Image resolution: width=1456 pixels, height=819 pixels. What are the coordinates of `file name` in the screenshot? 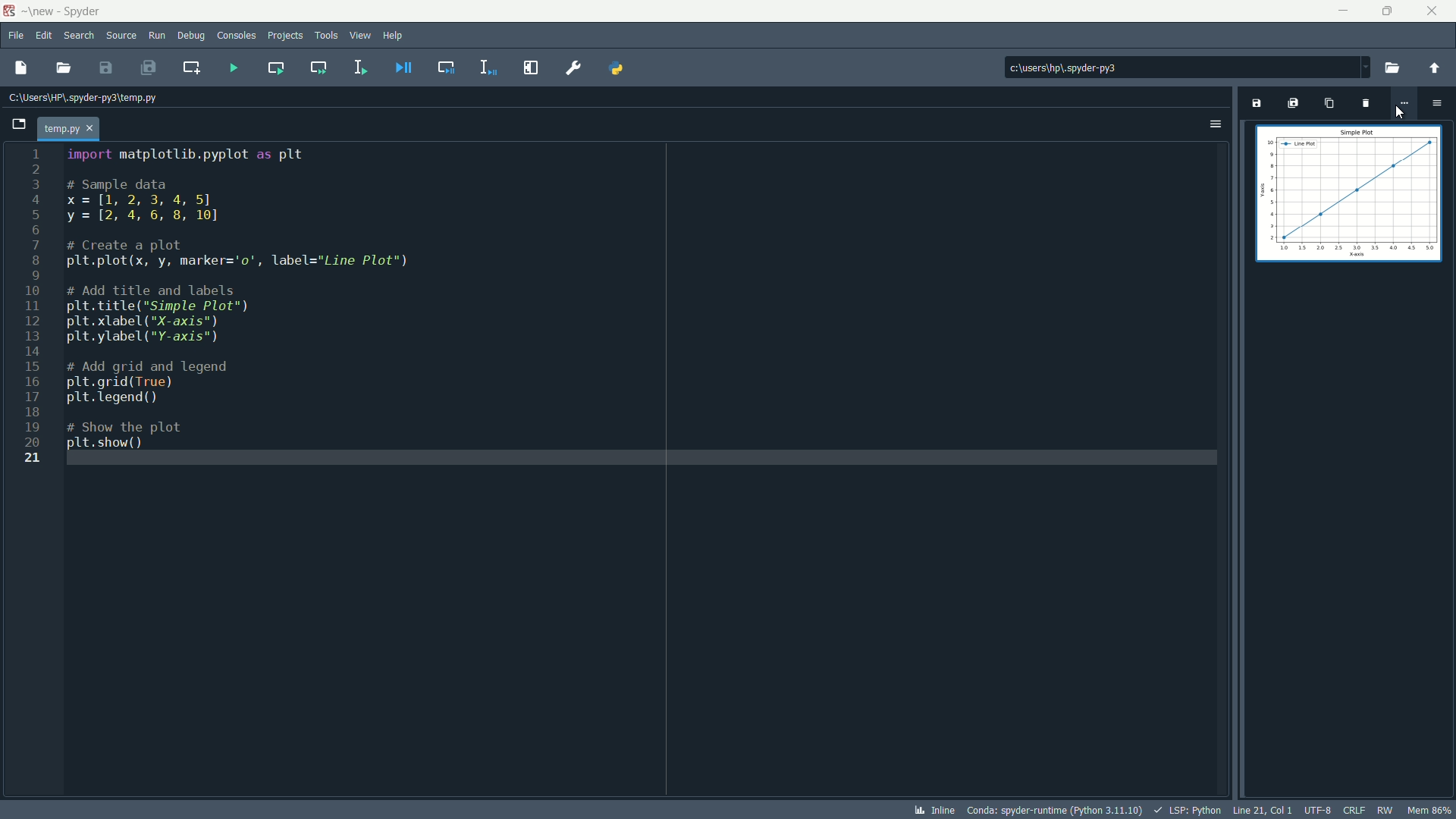 It's located at (333, 56).